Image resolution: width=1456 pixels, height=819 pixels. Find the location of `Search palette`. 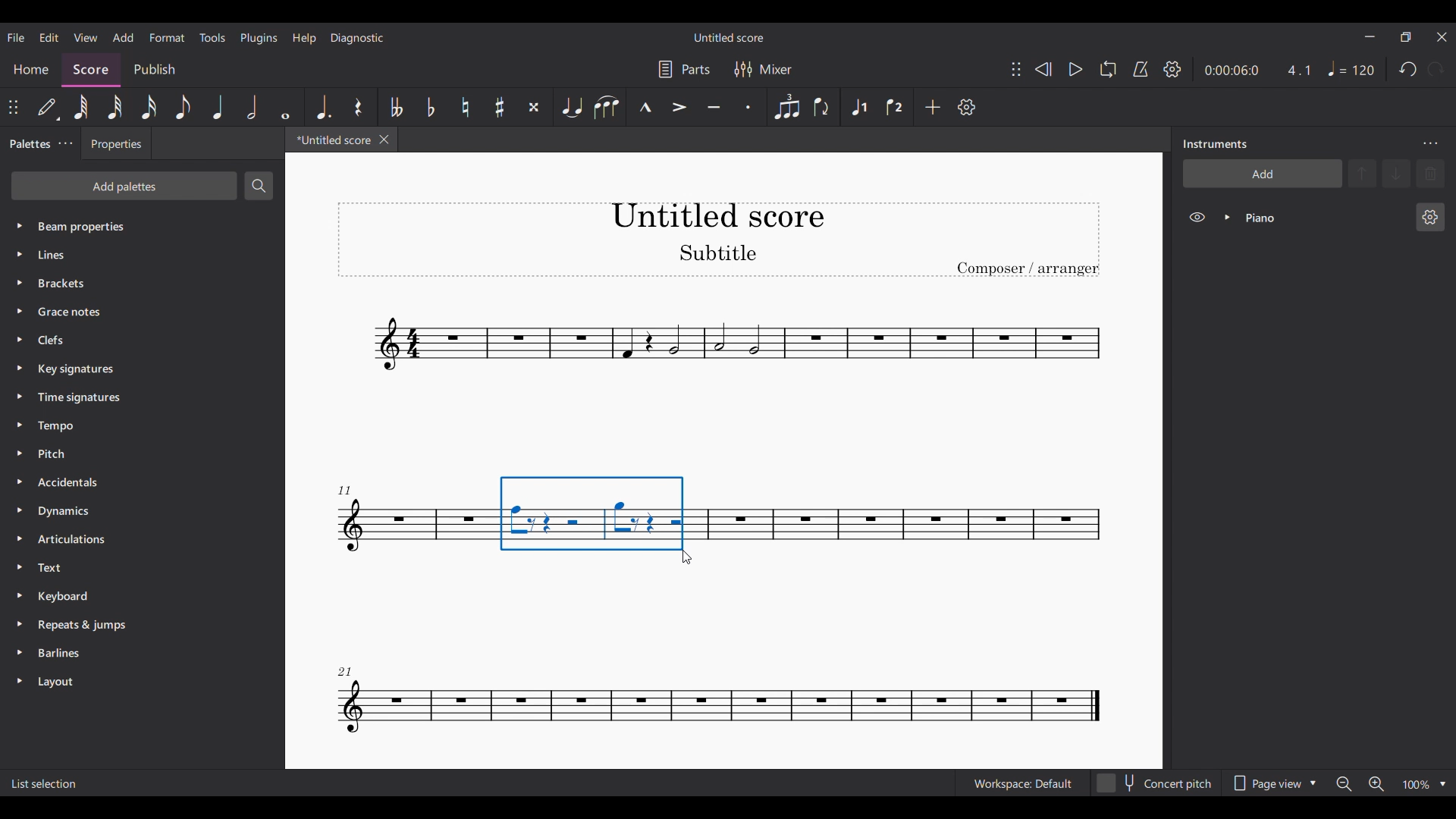

Search palette is located at coordinates (259, 185).